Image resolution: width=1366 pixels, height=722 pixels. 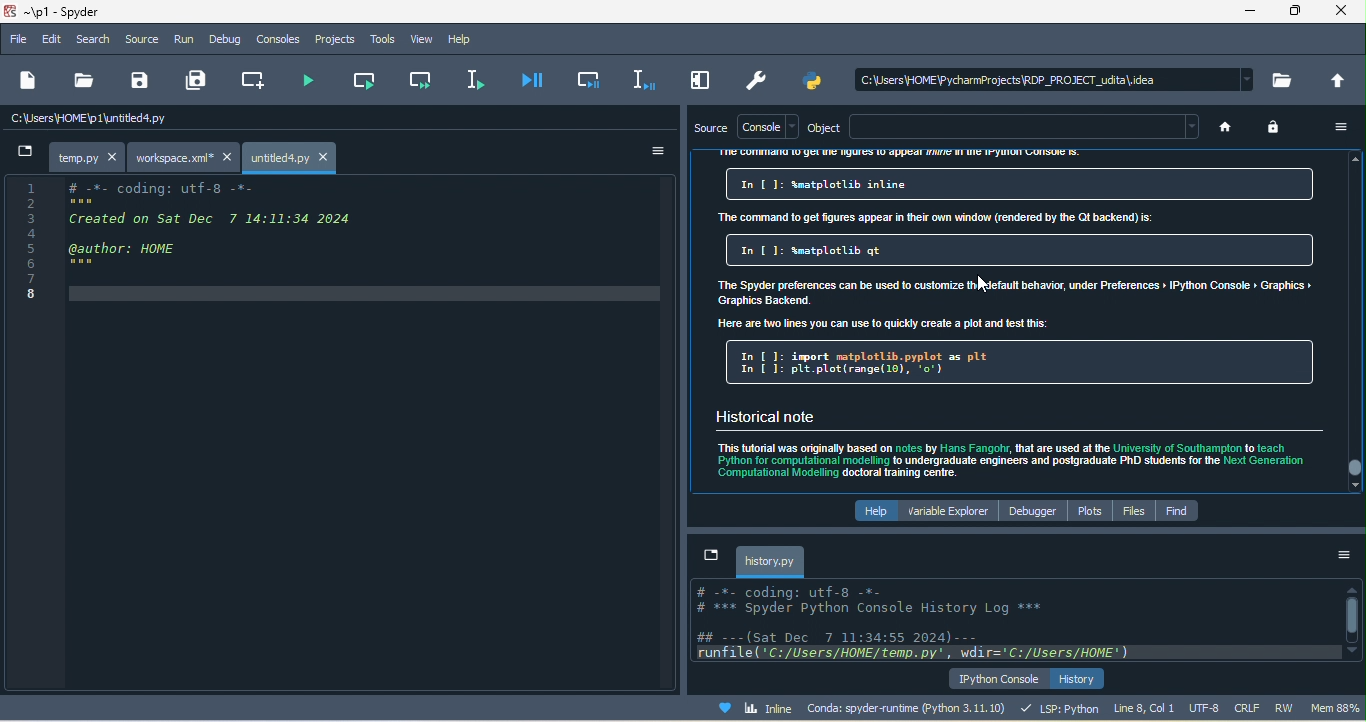 What do you see at coordinates (279, 40) in the screenshot?
I see `consoles` at bounding box center [279, 40].